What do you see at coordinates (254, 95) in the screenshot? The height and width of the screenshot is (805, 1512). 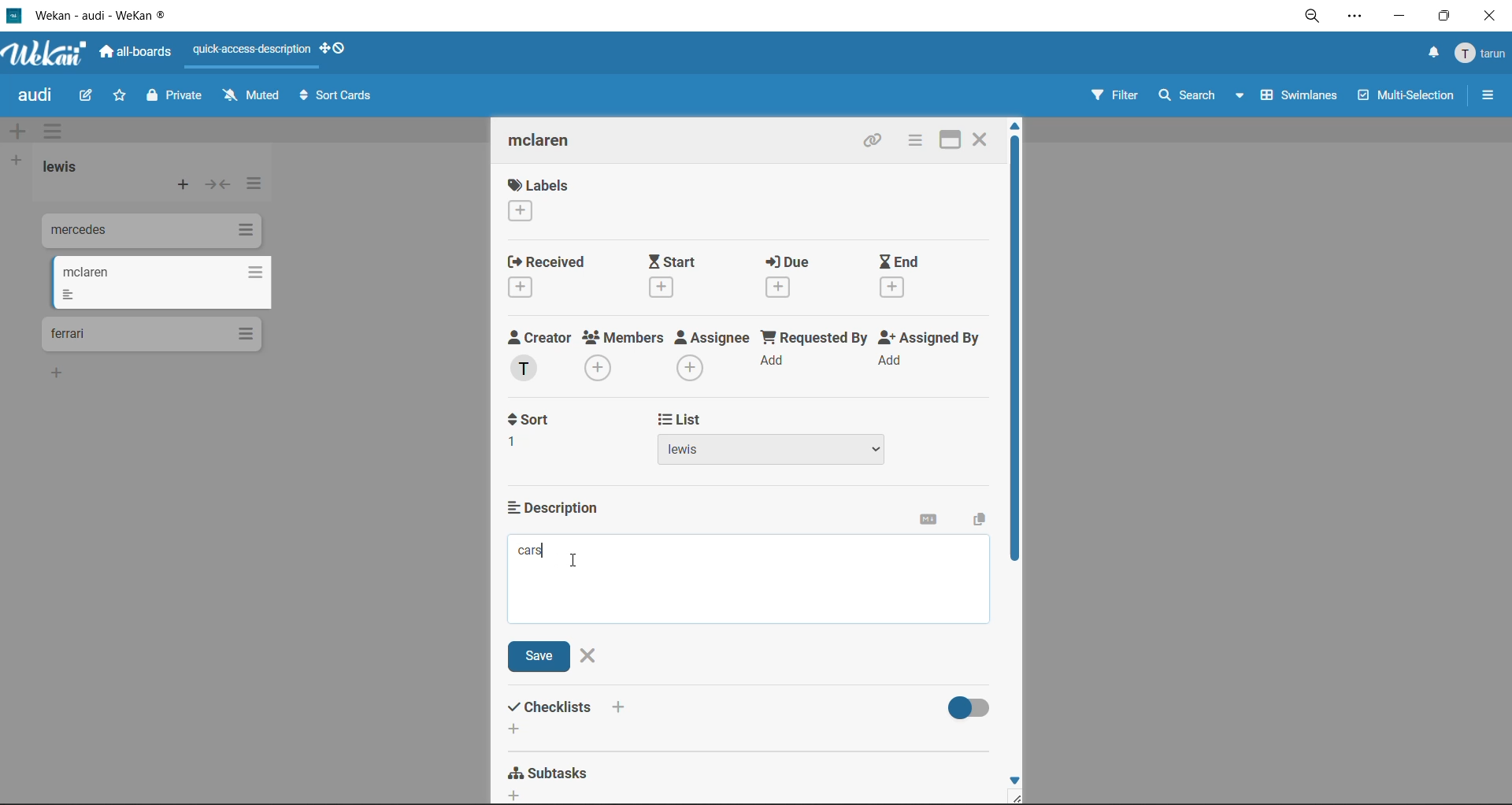 I see `muted` at bounding box center [254, 95].